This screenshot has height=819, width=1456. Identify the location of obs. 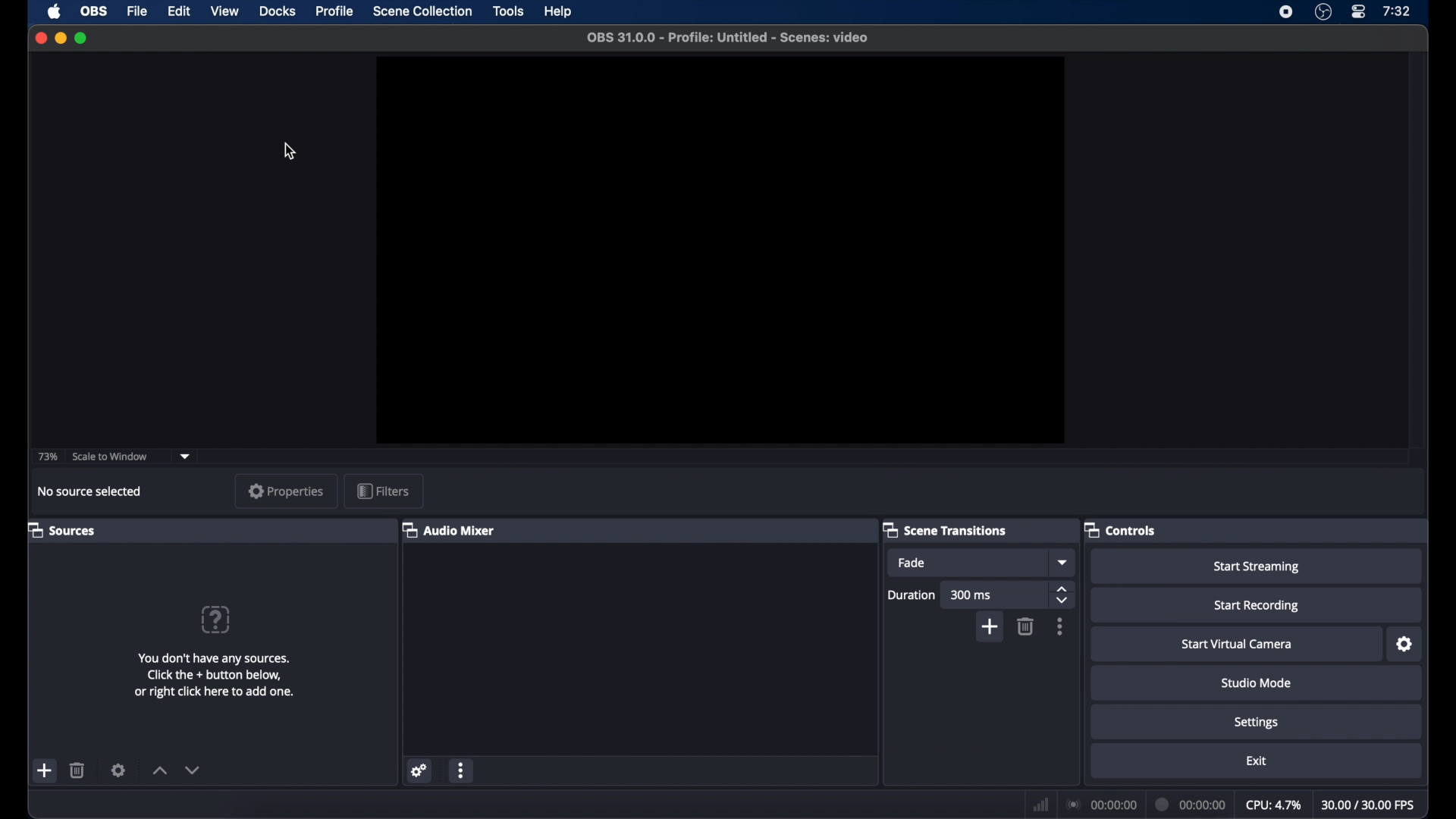
(94, 11).